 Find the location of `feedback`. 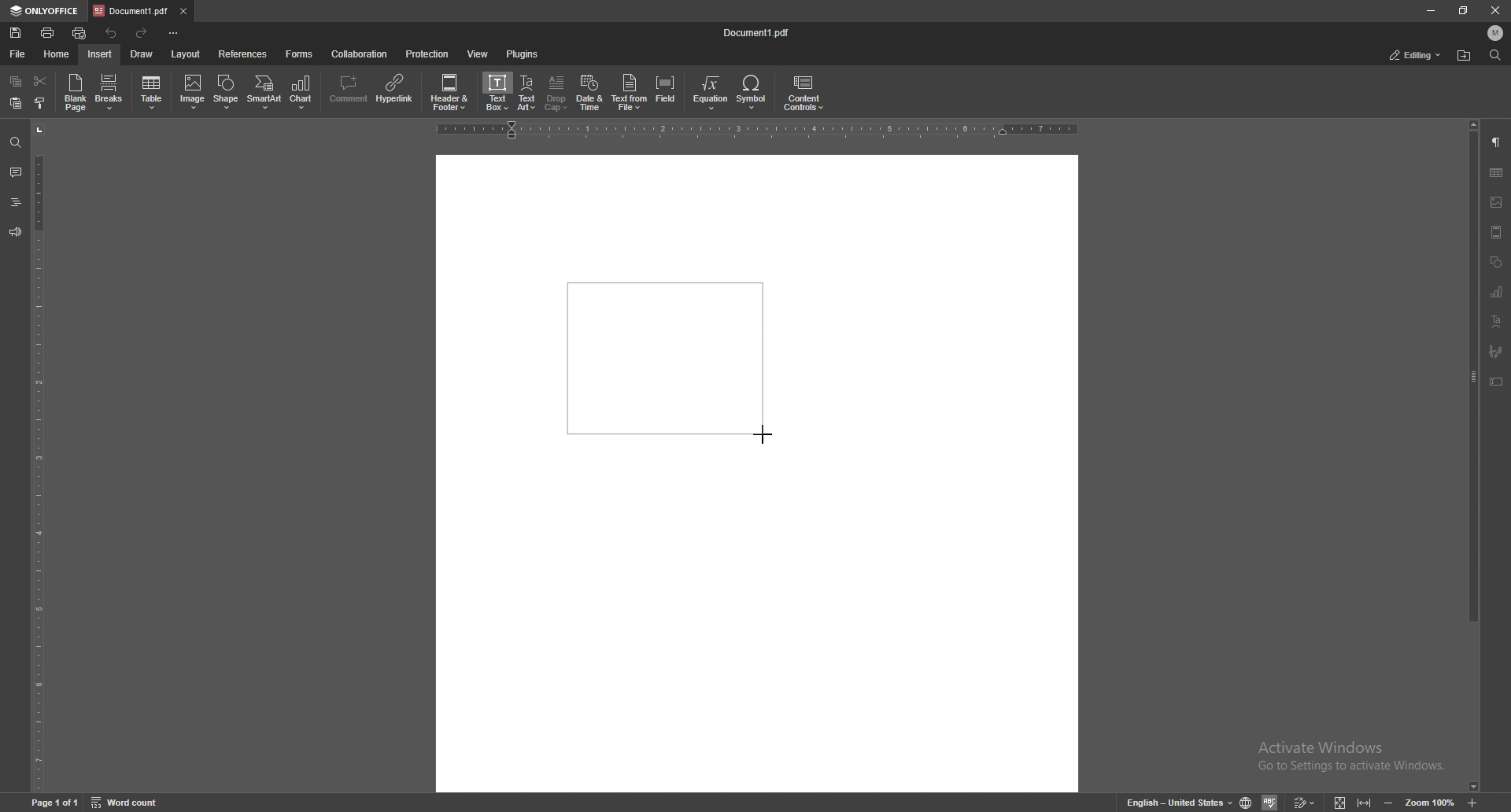

feedback is located at coordinates (15, 231).